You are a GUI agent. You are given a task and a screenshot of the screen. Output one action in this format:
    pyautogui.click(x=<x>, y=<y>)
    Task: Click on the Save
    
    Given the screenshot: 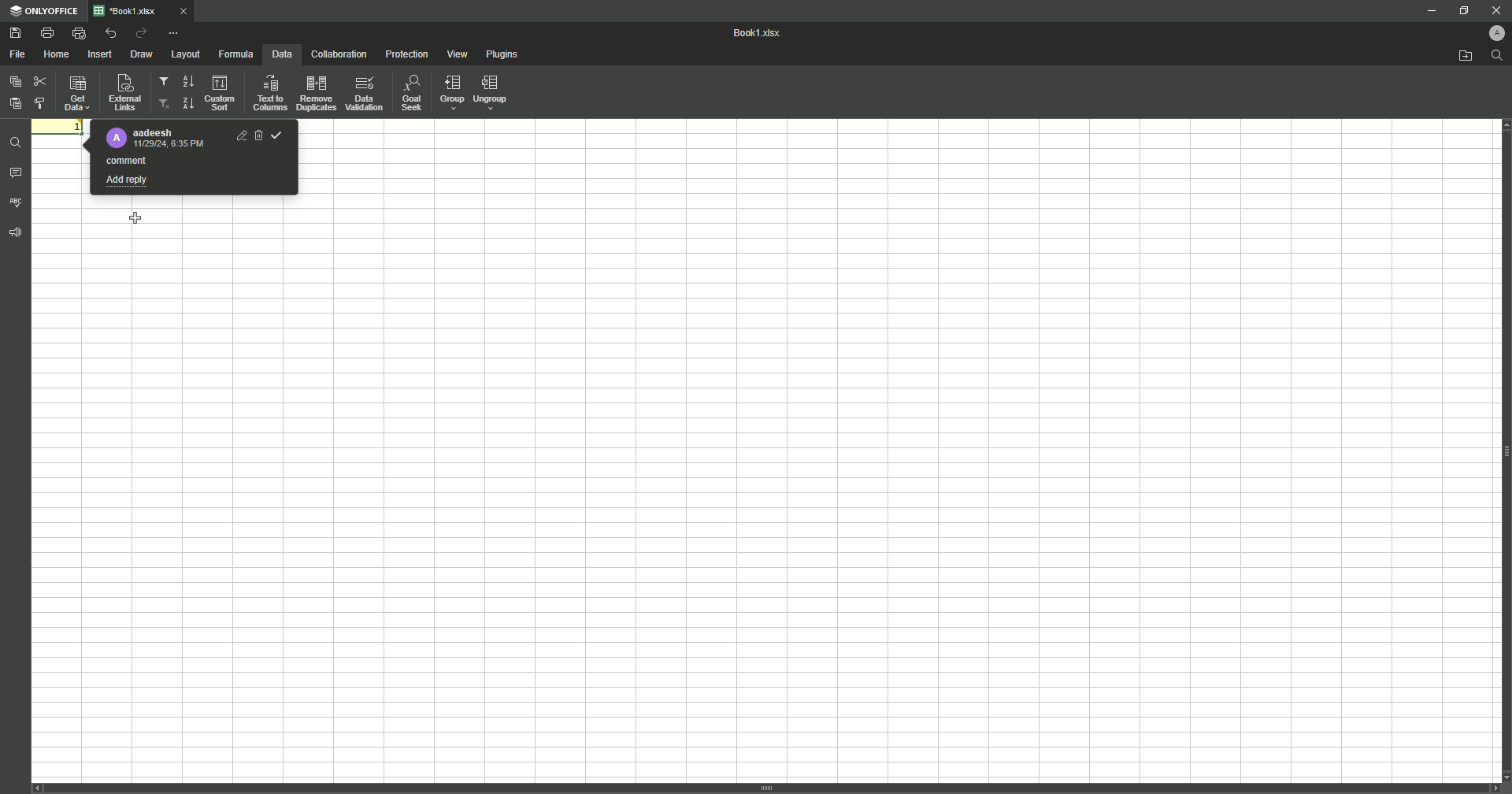 What is the action you would take?
    pyautogui.click(x=15, y=34)
    